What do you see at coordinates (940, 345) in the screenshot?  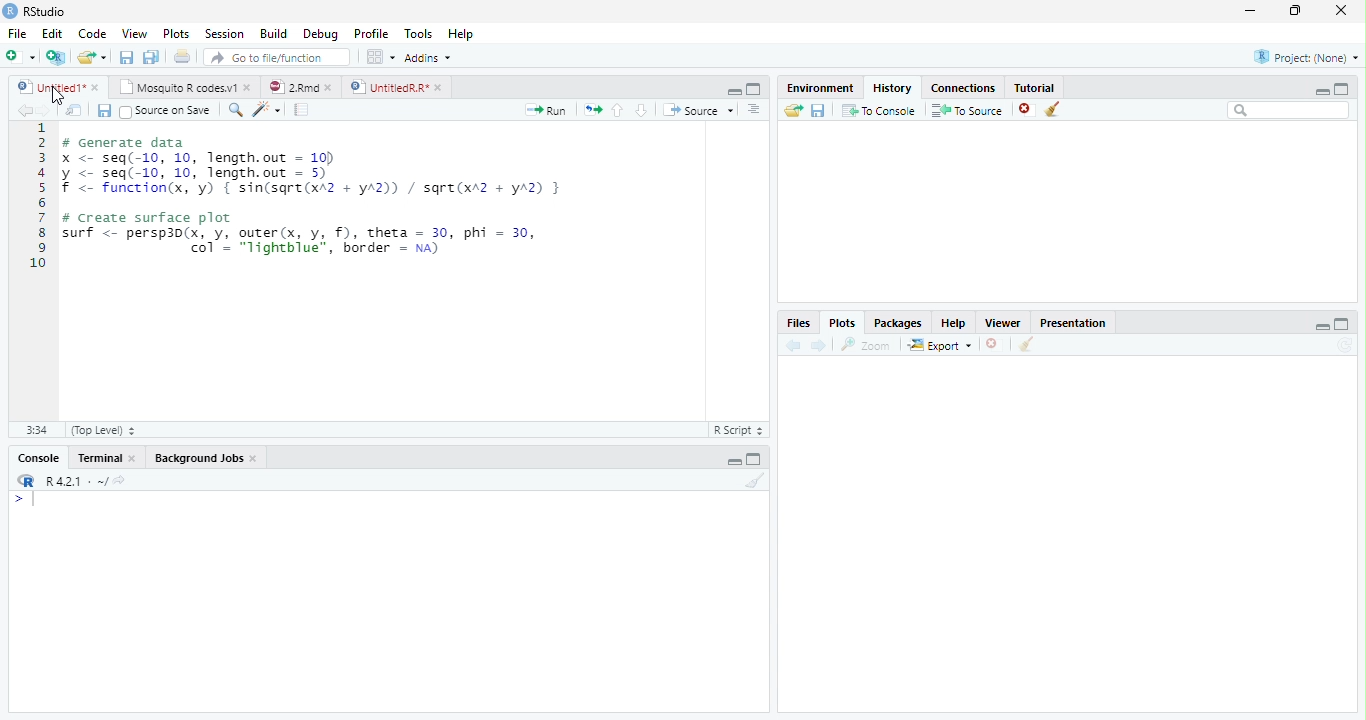 I see `Export` at bounding box center [940, 345].